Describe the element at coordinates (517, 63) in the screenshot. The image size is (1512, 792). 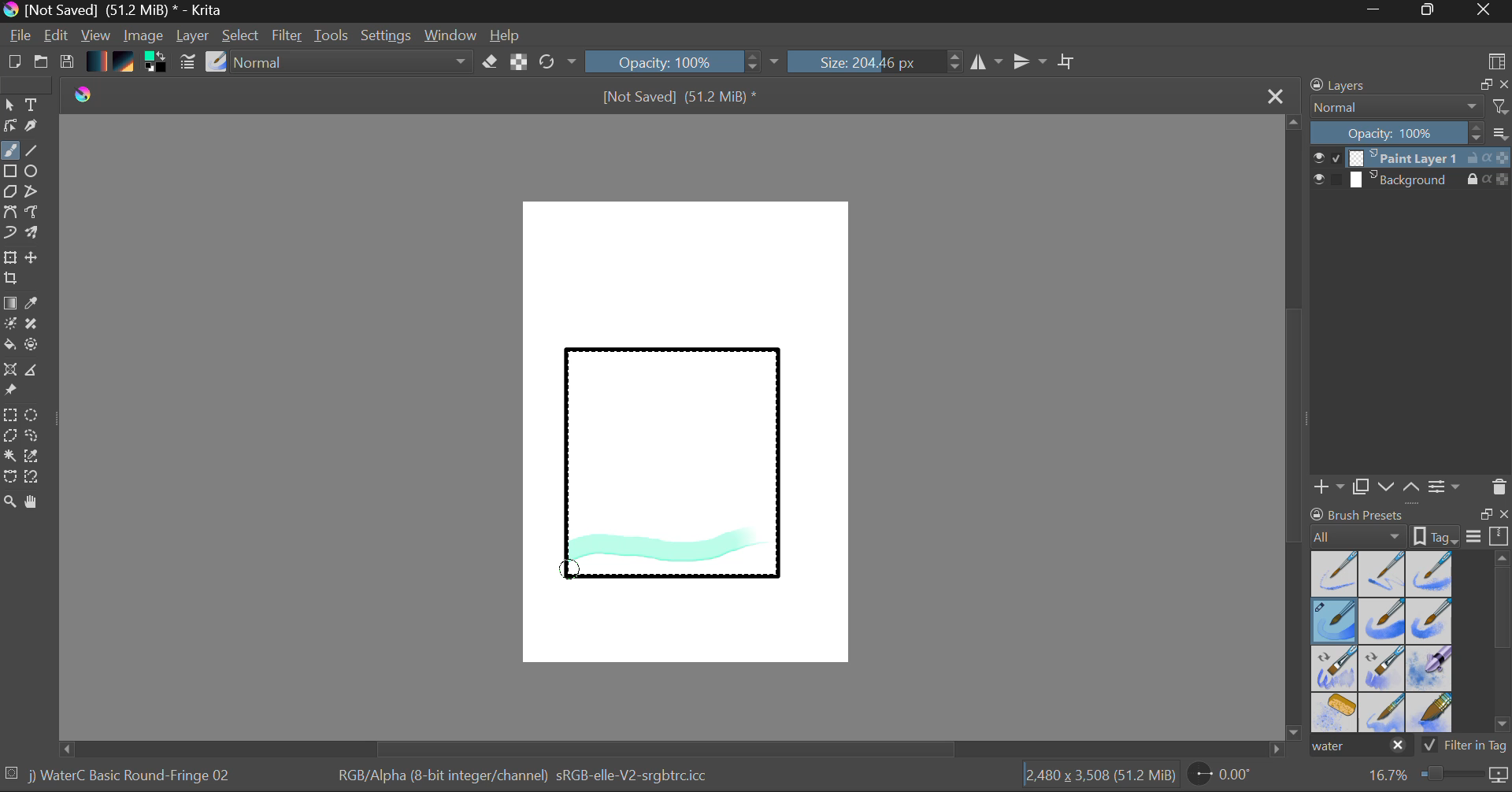
I see `Lock Alpha` at that location.